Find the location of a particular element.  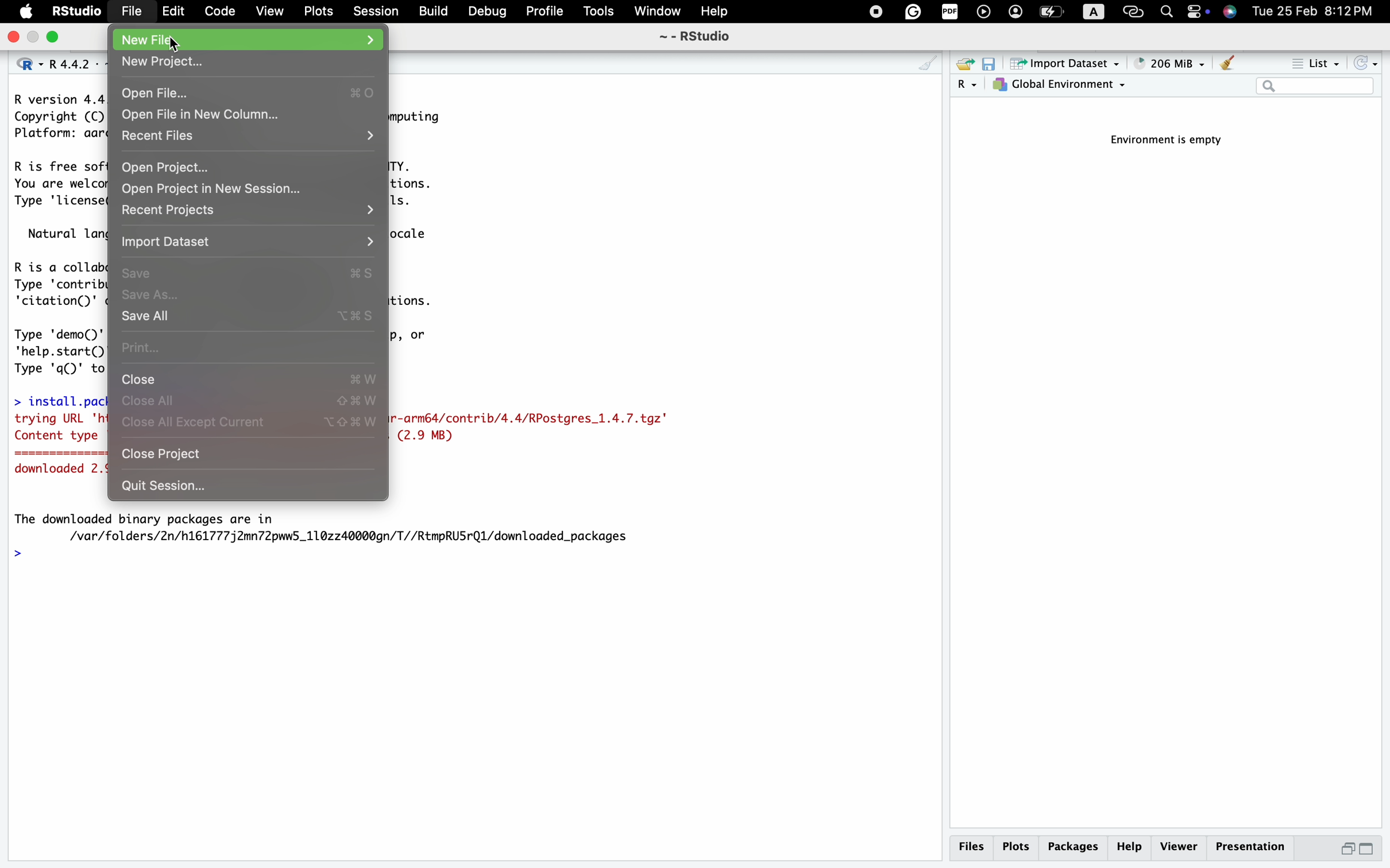

close all is located at coordinates (250, 401).